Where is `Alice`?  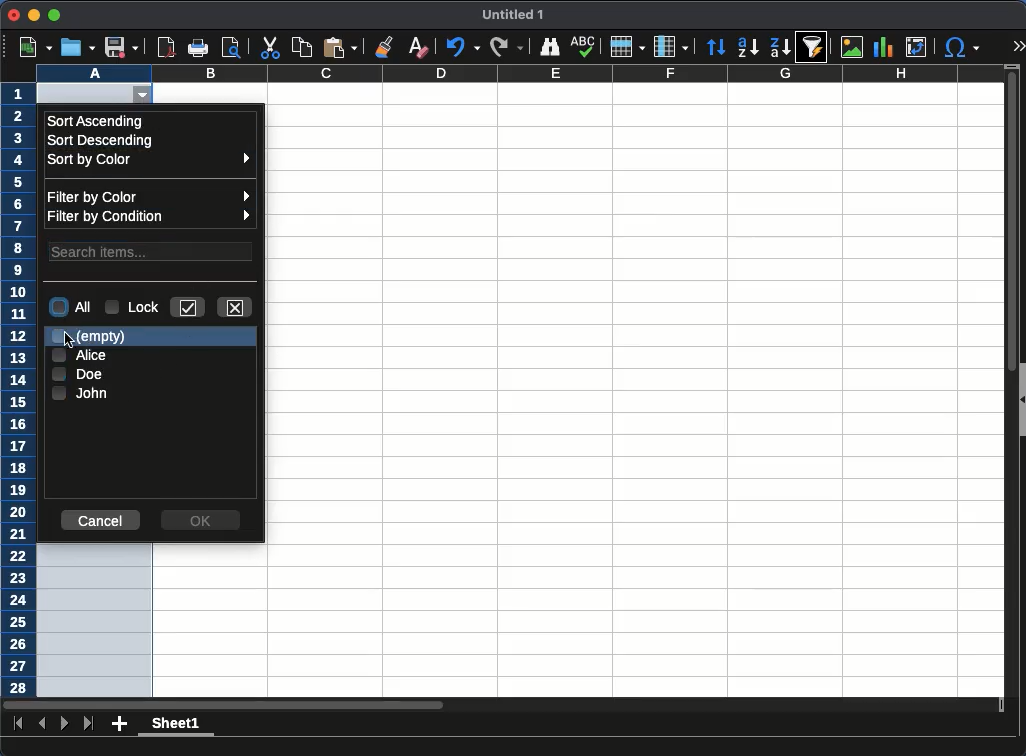
Alice is located at coordinates (78, 355).